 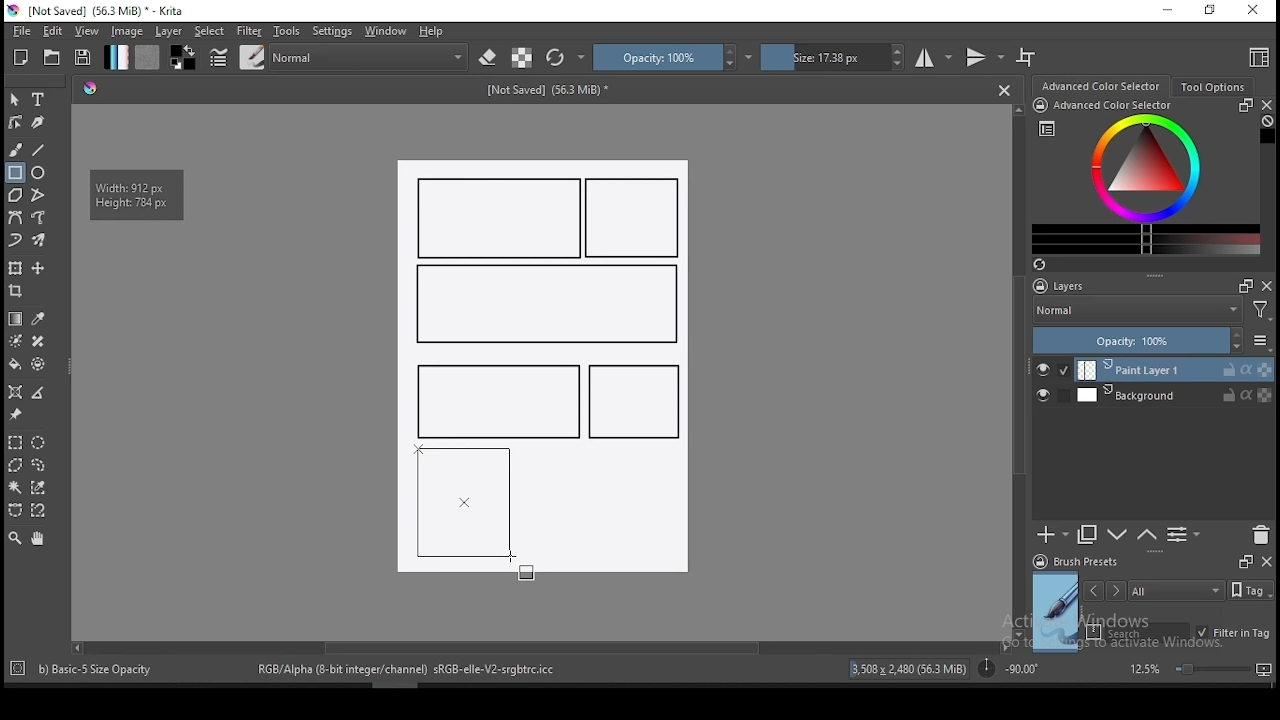 I want to click on pick a color from image and current layer, so click(x=39, y=319).